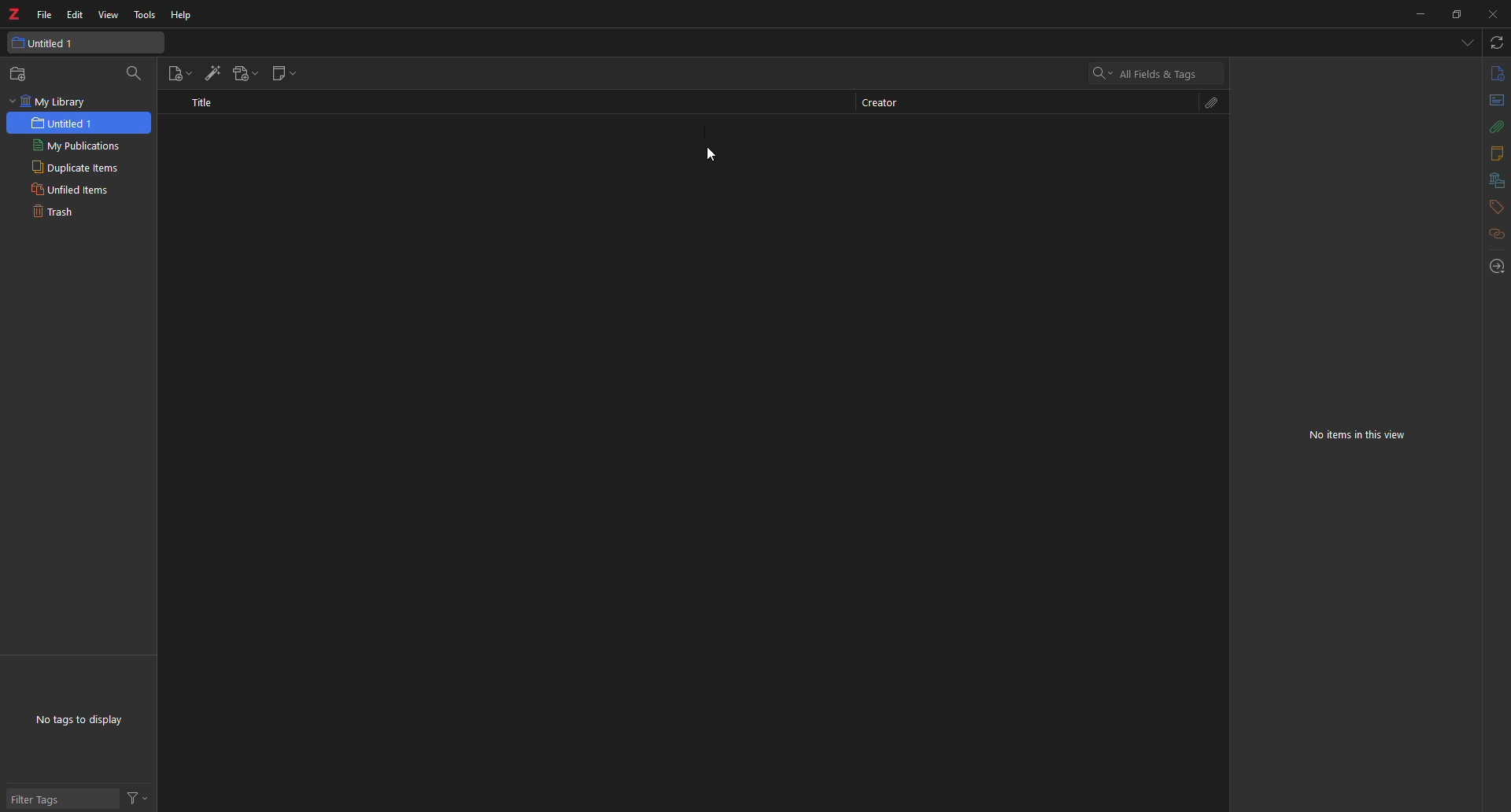 Image resolution: width=1511 pixels, height=812 pixels. Describe the element at coordinates (178, 74) in the screenshot. I see `new item` at that location.